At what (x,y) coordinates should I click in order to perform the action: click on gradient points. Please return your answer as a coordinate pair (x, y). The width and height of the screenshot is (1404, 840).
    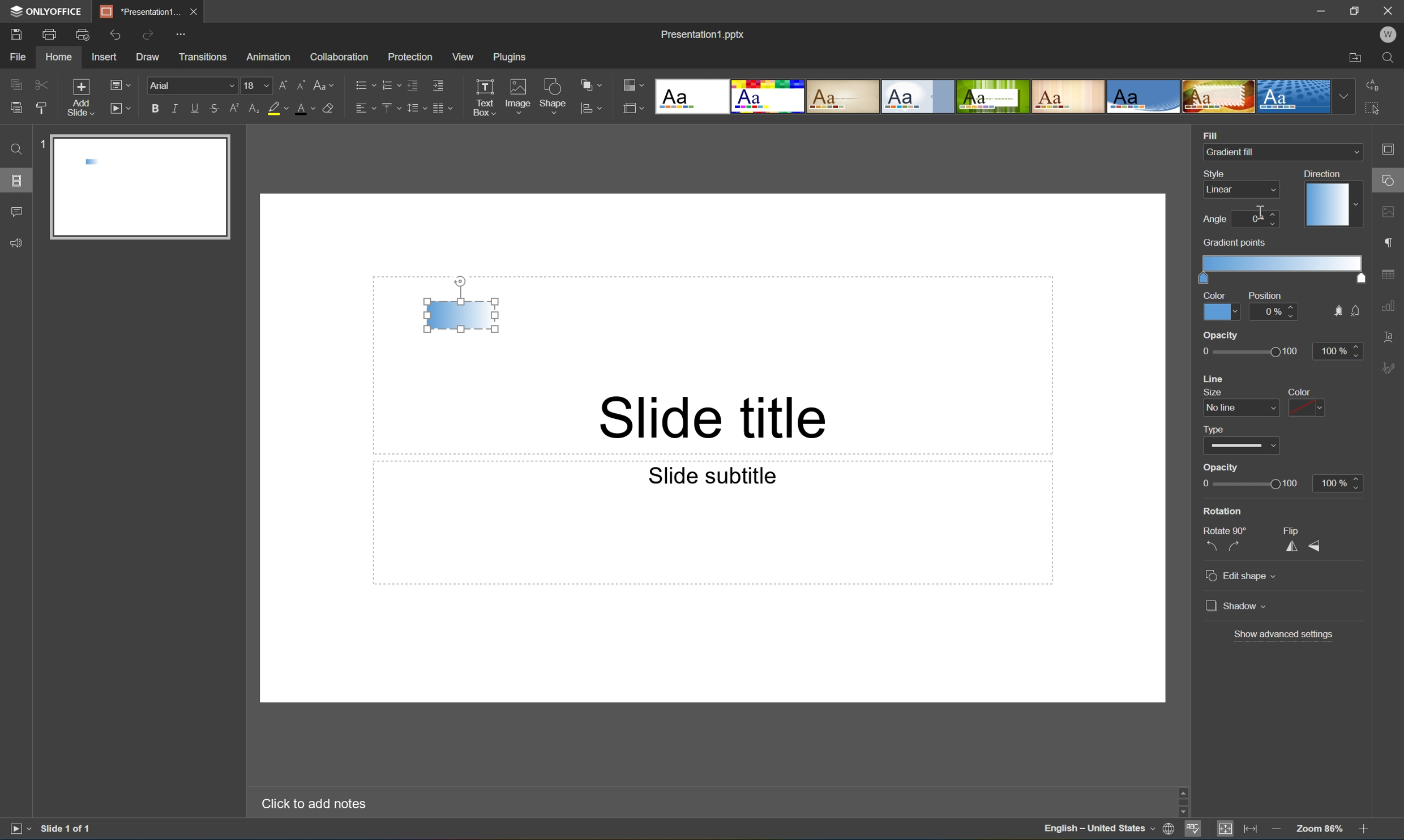
    Looking at the image, I should click on (1236, 243).